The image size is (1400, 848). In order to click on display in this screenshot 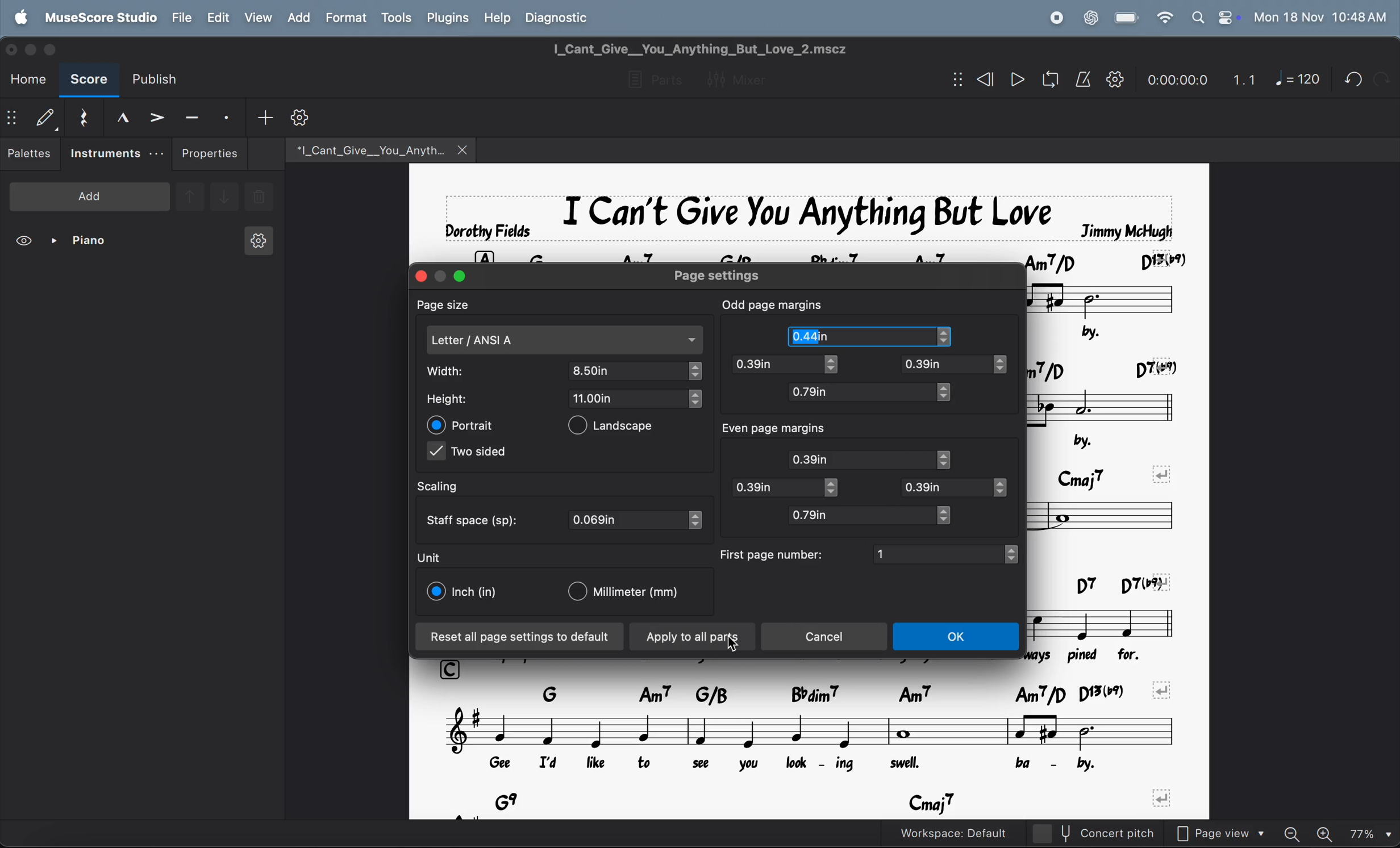, I will do `click(45, 117)`.